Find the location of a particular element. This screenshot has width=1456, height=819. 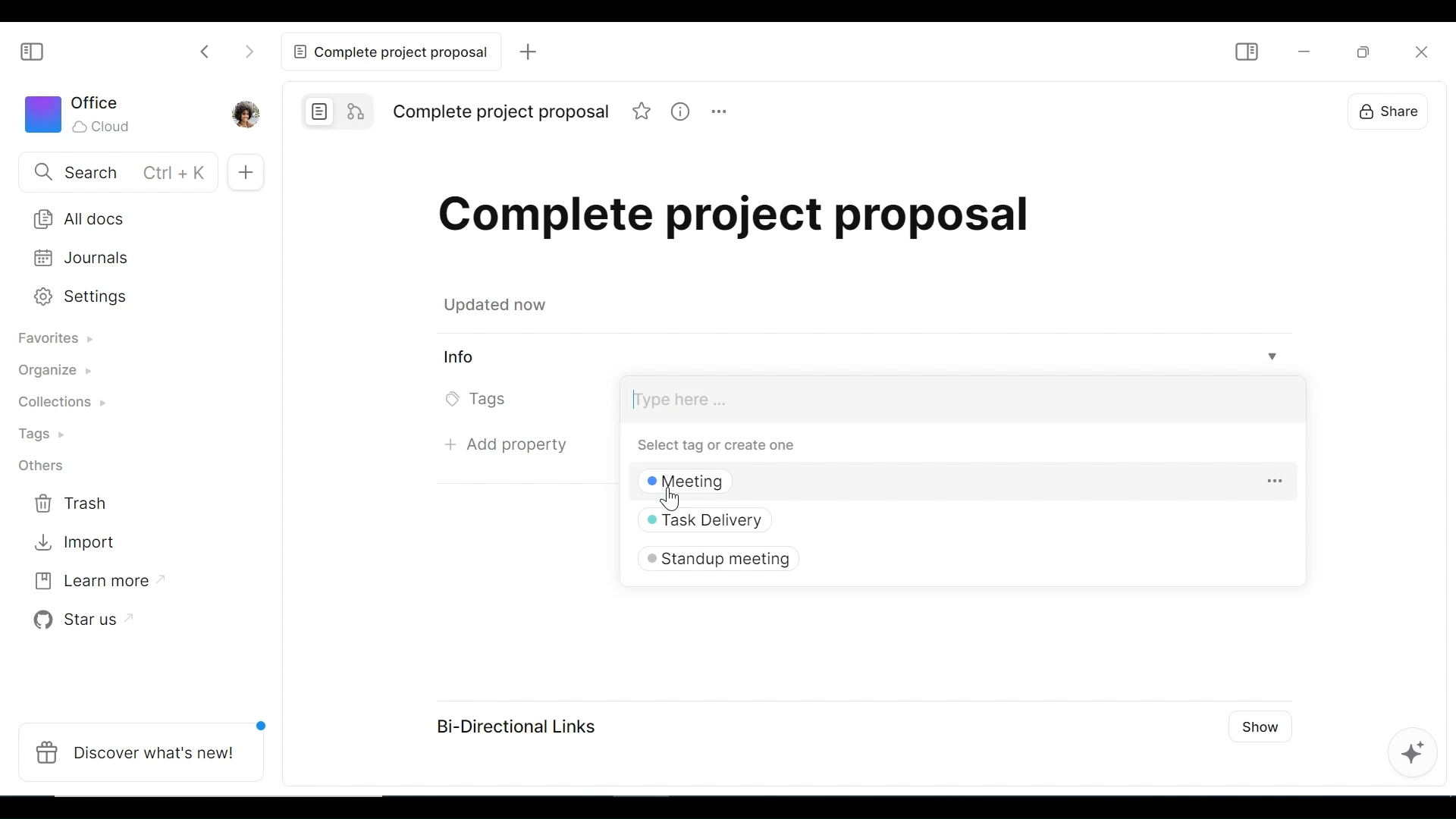

 is located at coordinates (670, 500).